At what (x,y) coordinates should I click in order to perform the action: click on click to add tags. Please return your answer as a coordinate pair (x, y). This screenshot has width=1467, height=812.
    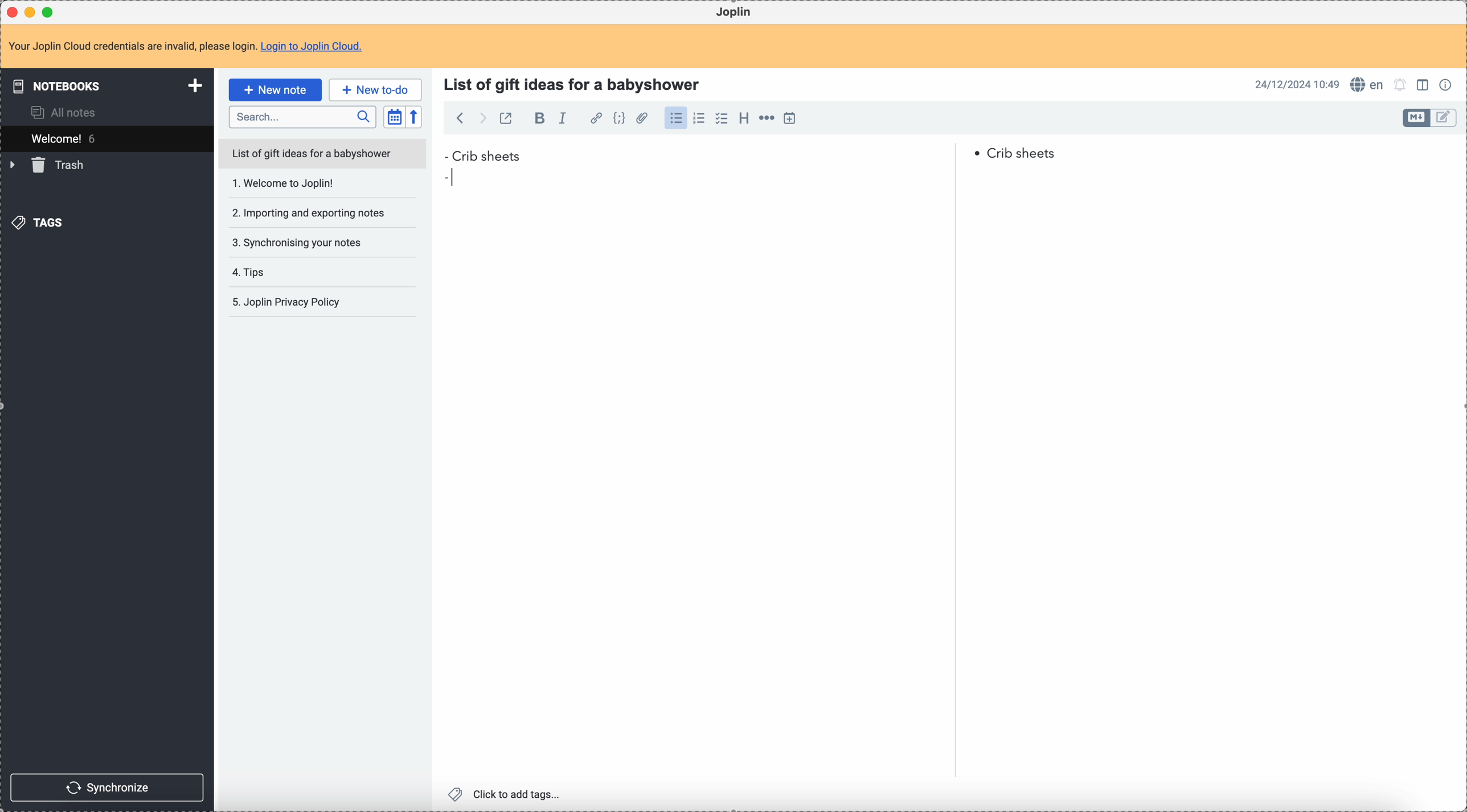
    Looking at the image, I should click on (505, 794).